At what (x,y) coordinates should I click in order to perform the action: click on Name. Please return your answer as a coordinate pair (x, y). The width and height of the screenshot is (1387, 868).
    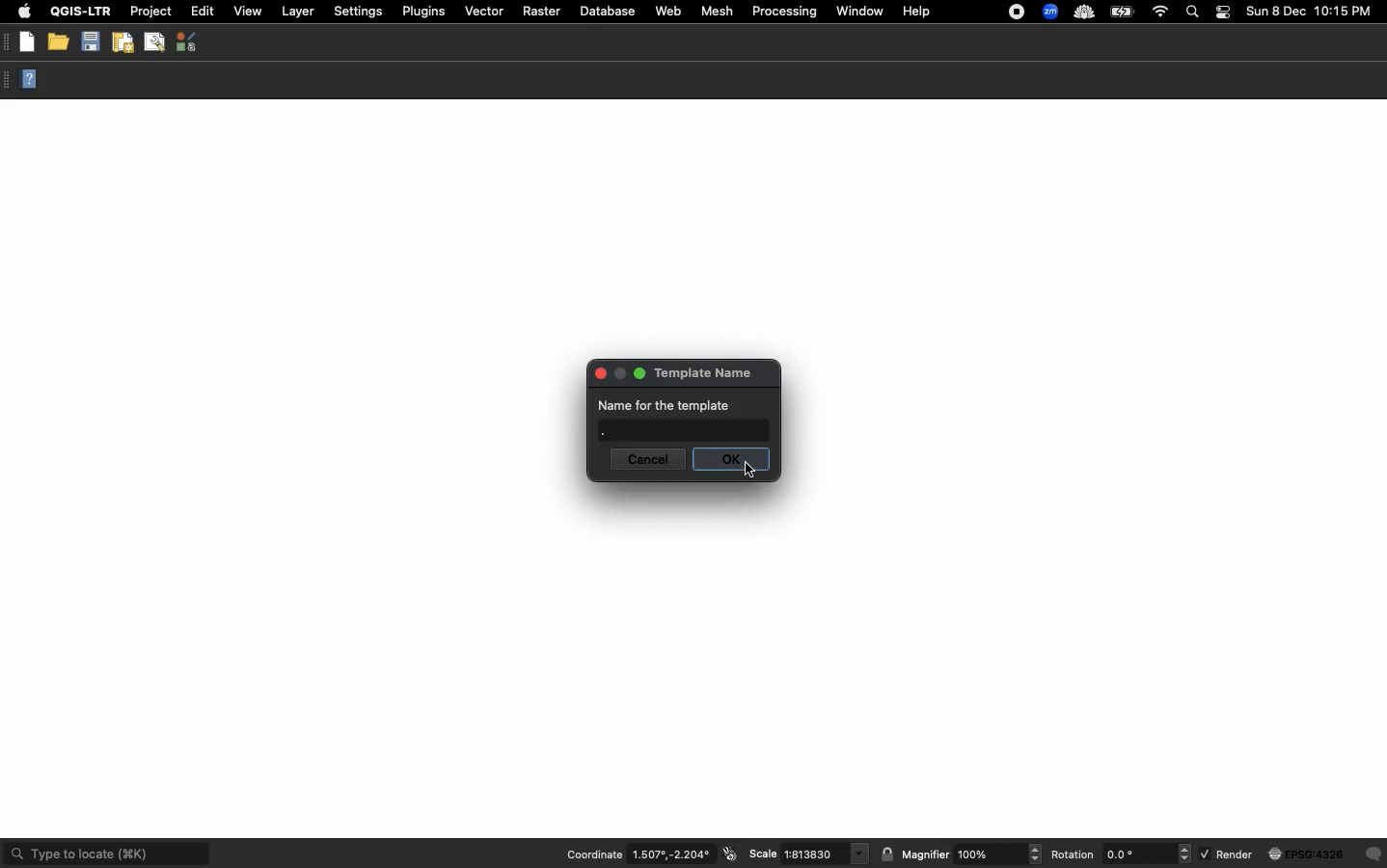
    Looking at the image, I should click on (676, 407).